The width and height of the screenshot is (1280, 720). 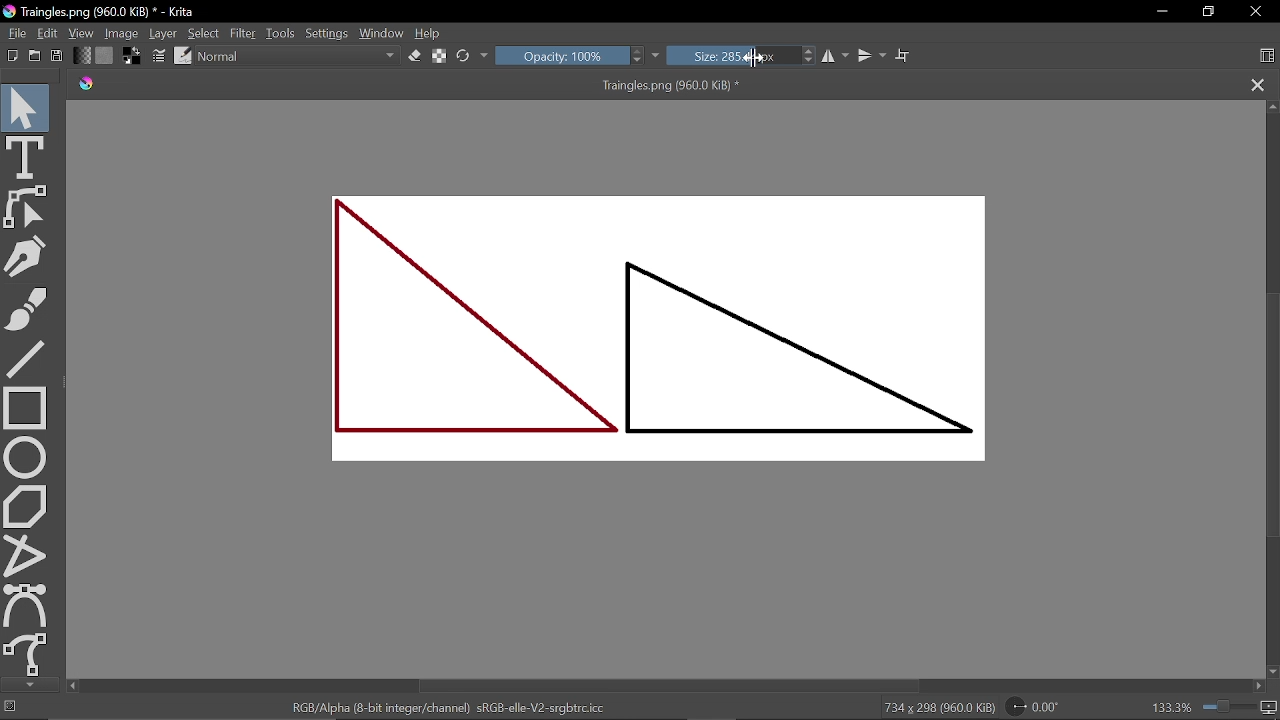 What do you see at coordinates (27, 207) in the screenshot?
I see `Edit shapes tool` at bounding box center [27, 207].